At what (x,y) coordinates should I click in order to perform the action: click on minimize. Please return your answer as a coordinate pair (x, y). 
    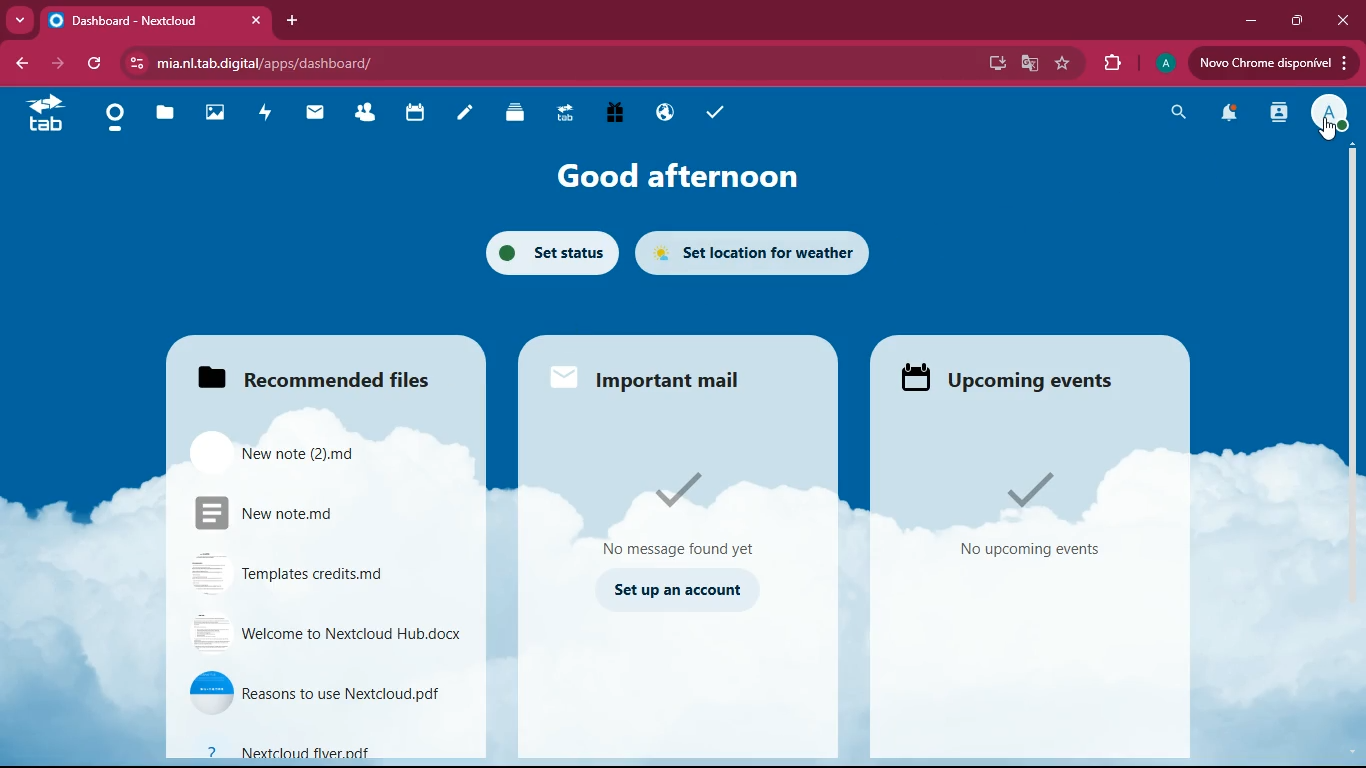
    Looking at the image, I should click on (1247, 19).